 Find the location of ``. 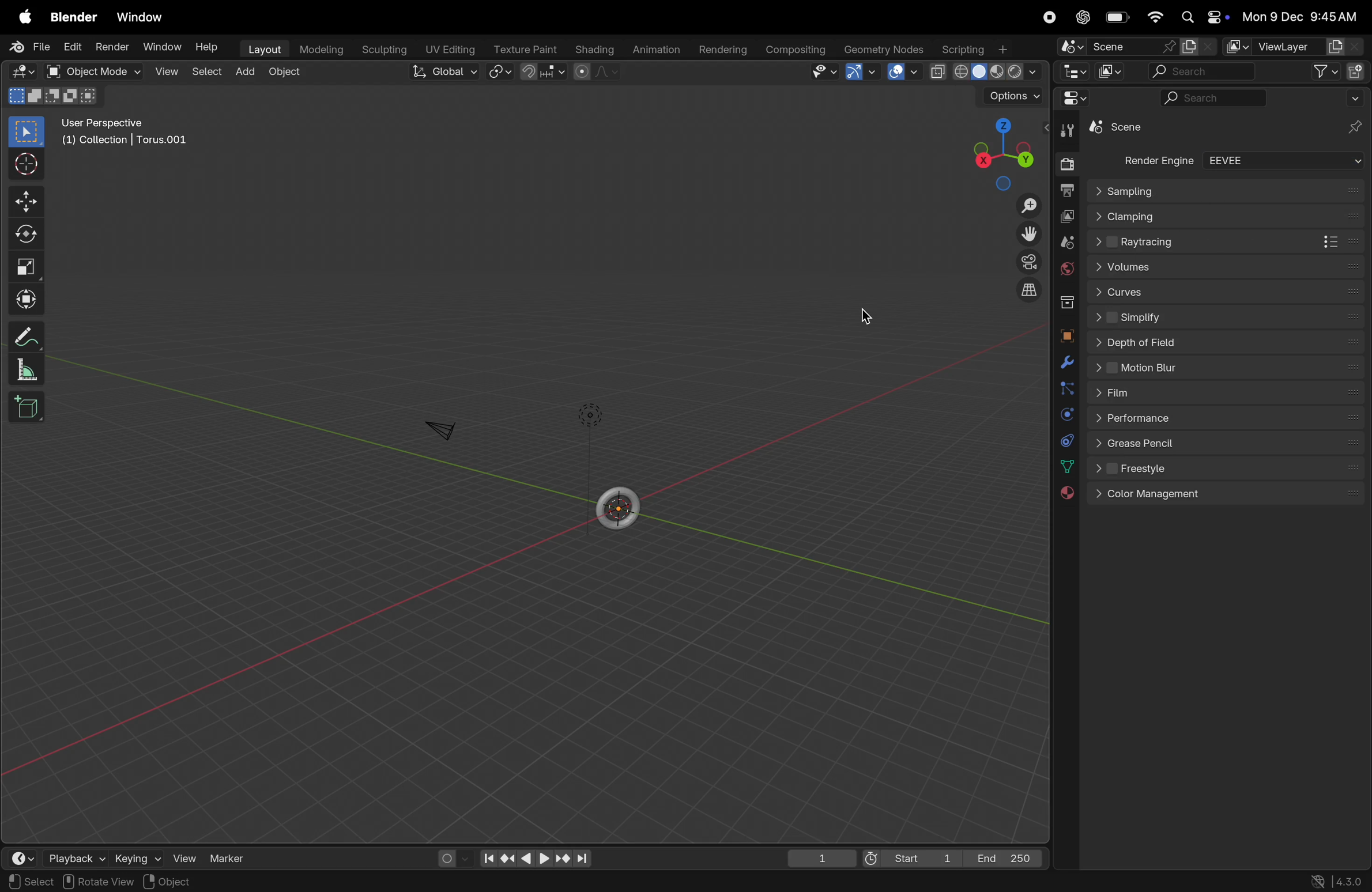

 is located at coordinates (1124, 190).